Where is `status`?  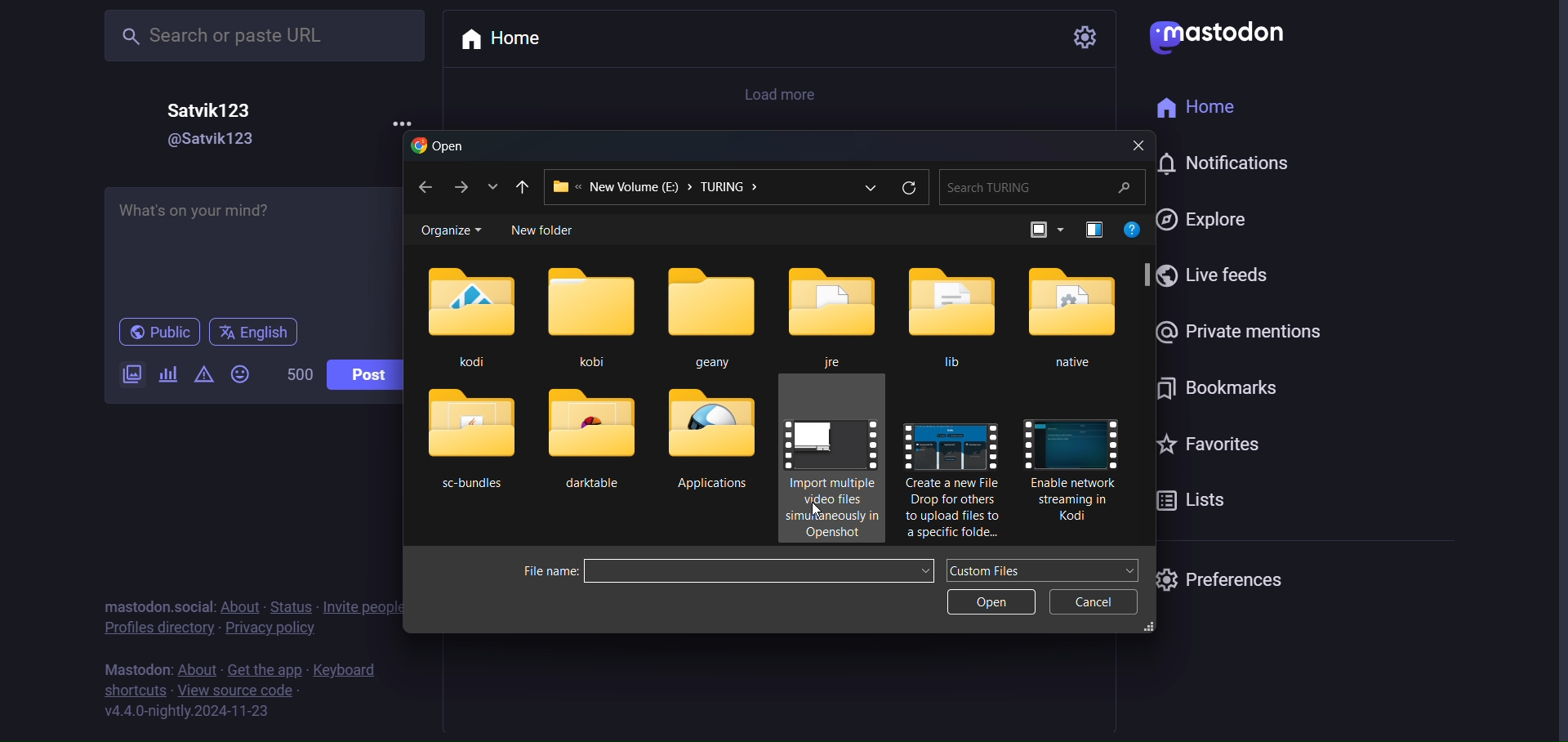
status is located at coordinates (290, 606).